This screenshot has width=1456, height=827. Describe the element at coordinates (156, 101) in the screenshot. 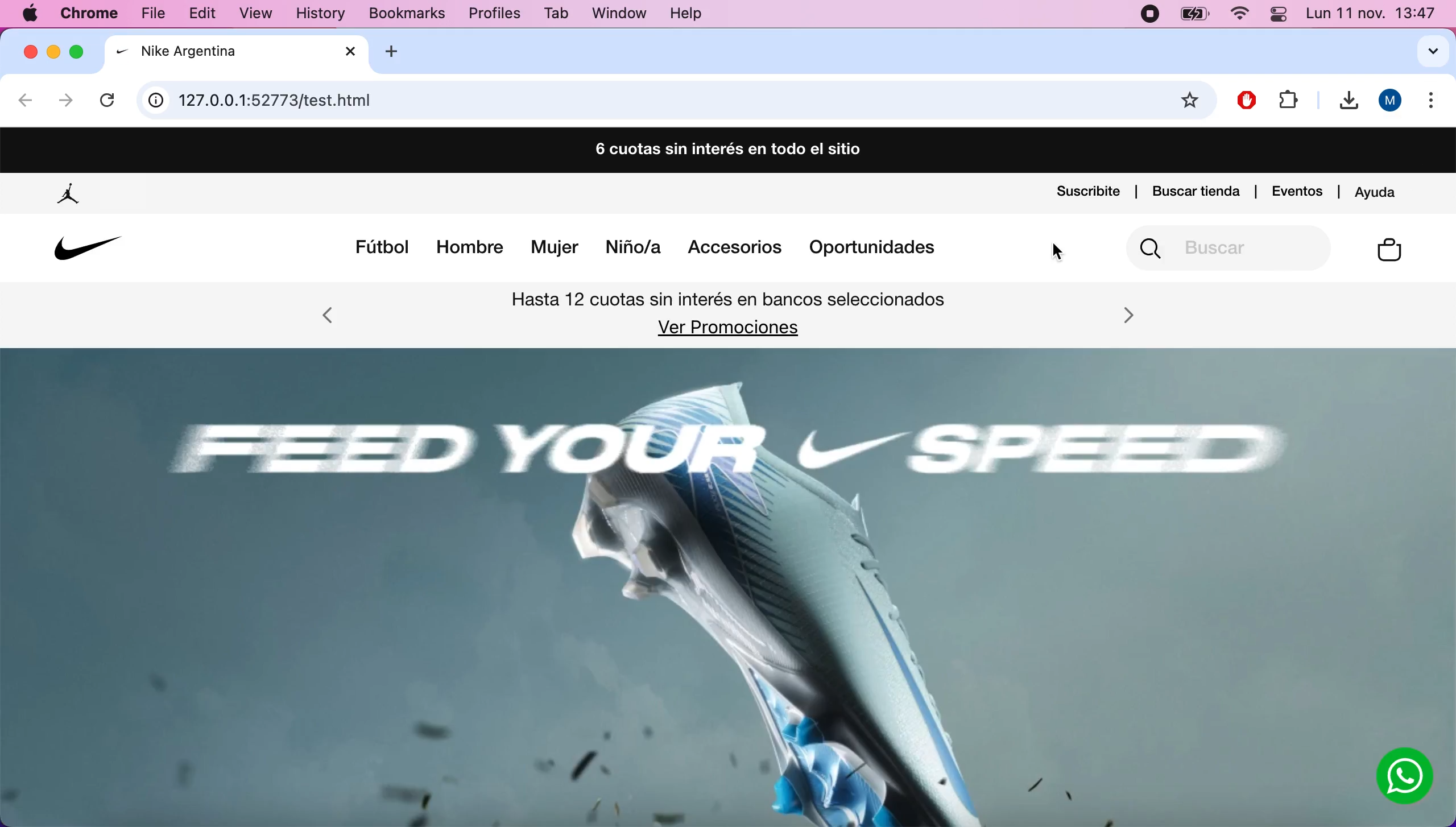

I see `information` at that location.